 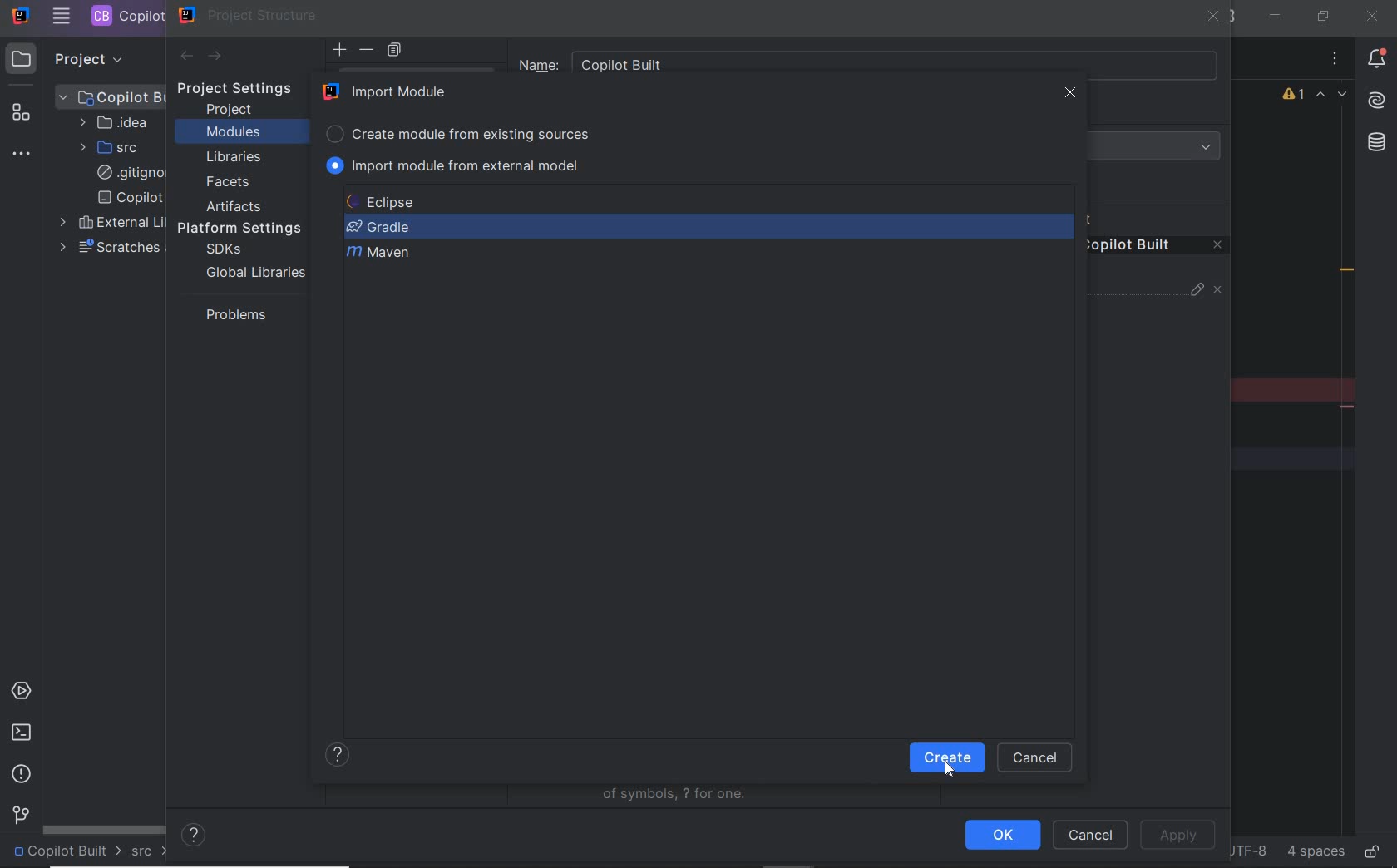 I want to click on IMPORT MODULE, so click(x=389, y=91).